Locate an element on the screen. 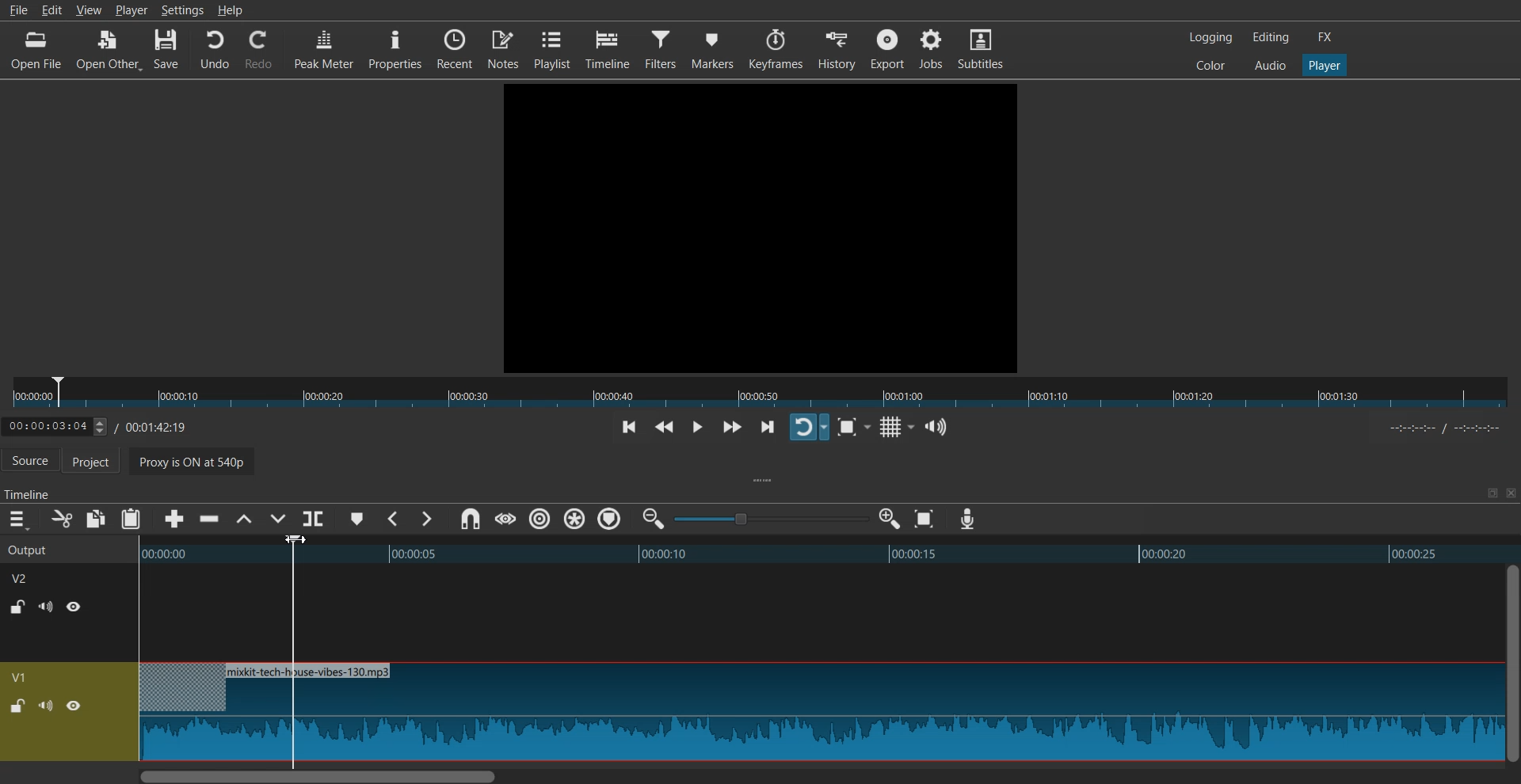 This screenshot has height=784, width=1521. Close is located at coordinates (1509, 493).